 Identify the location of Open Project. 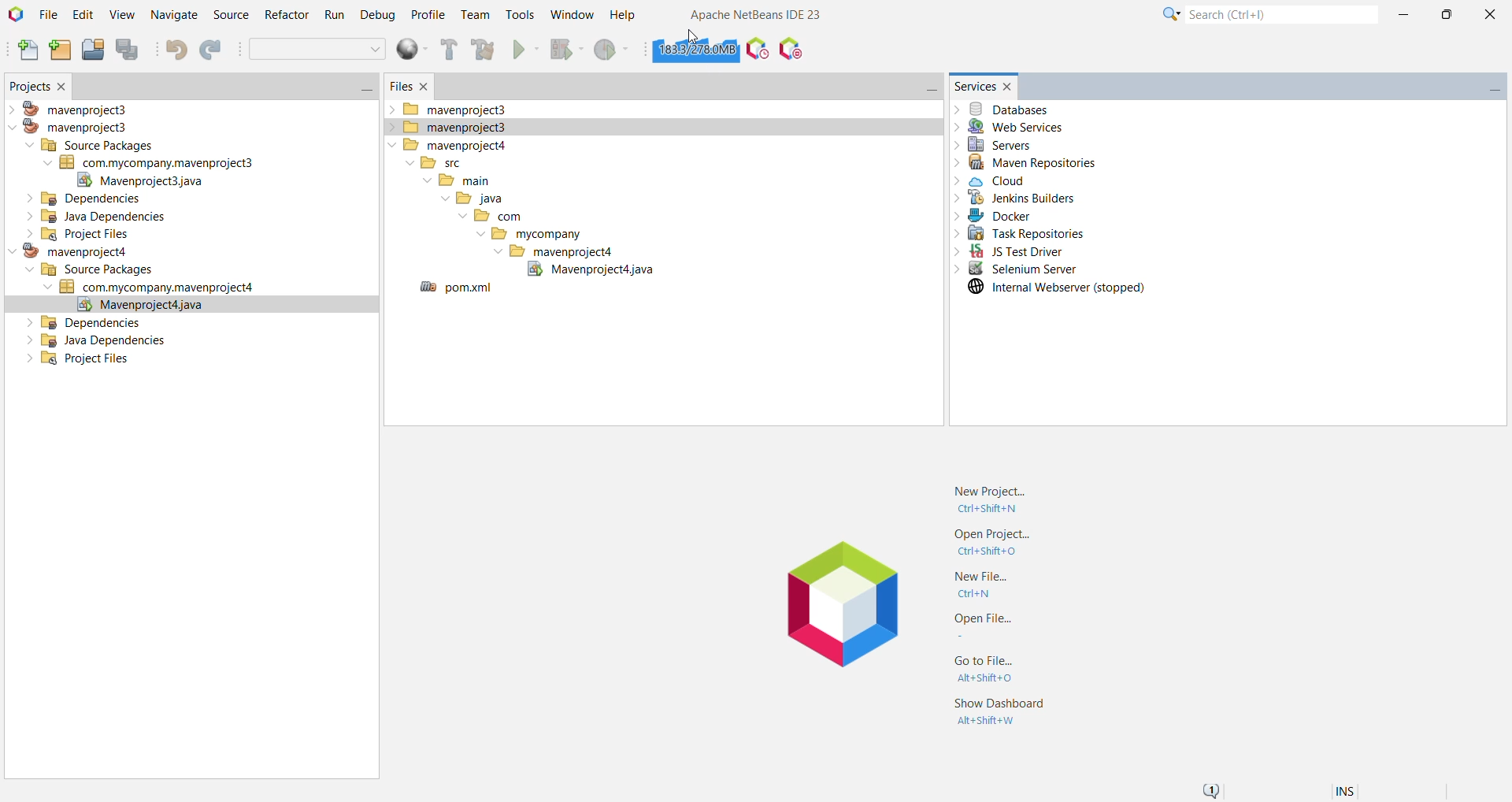
(990, 543).